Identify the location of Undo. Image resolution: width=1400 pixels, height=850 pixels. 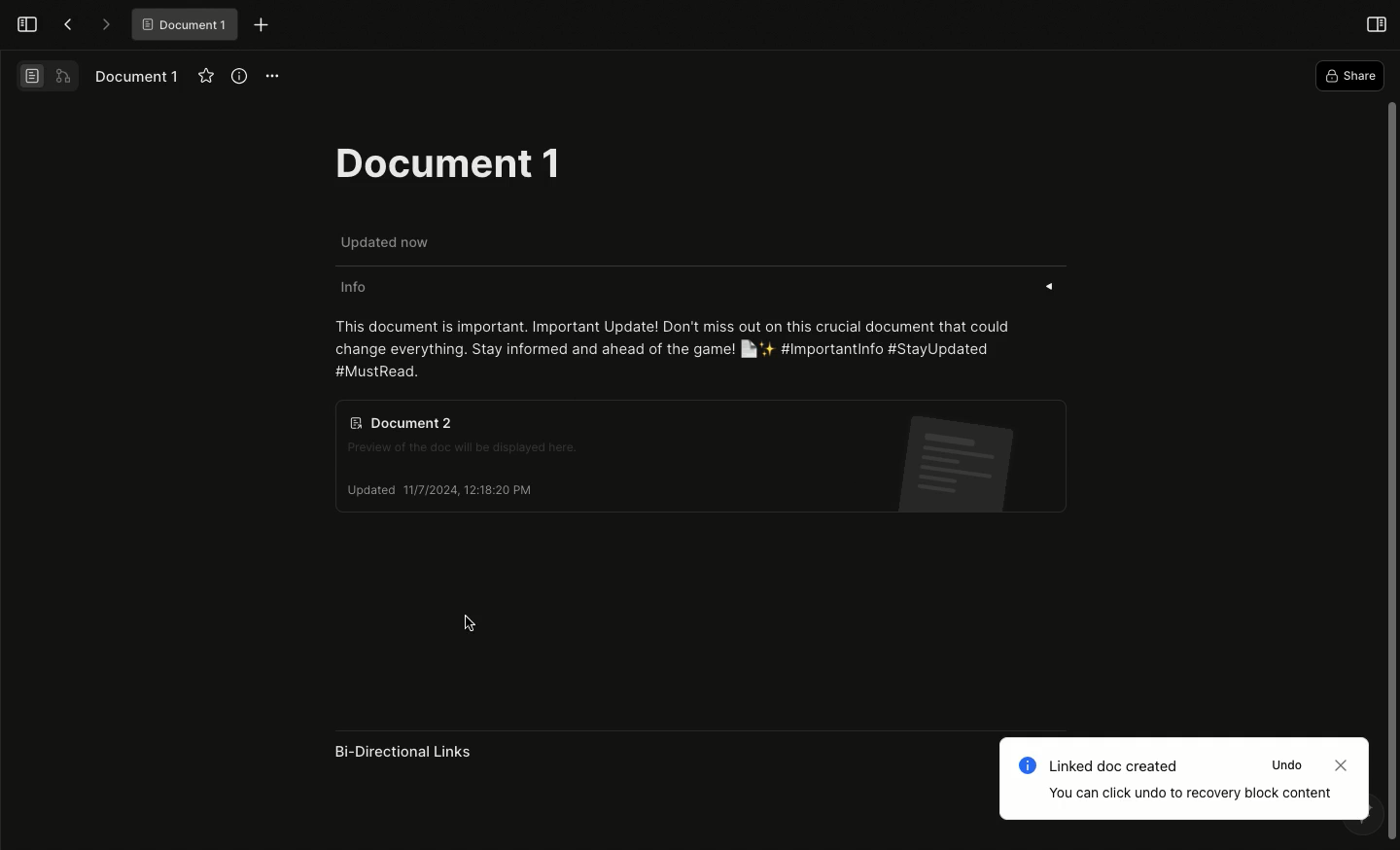
(1290, 765).